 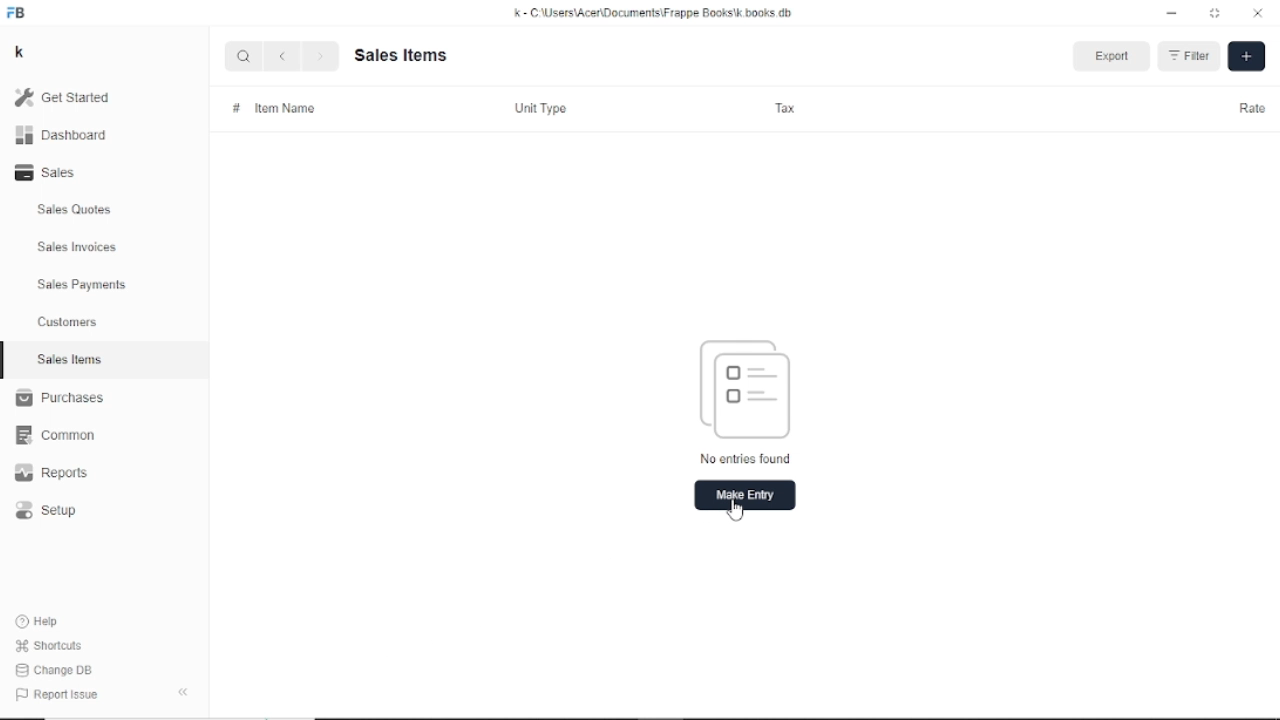 What do you see at coordinates (282, 56) in the screenshot?
I see `Previous` at bounding box center [282, 56].